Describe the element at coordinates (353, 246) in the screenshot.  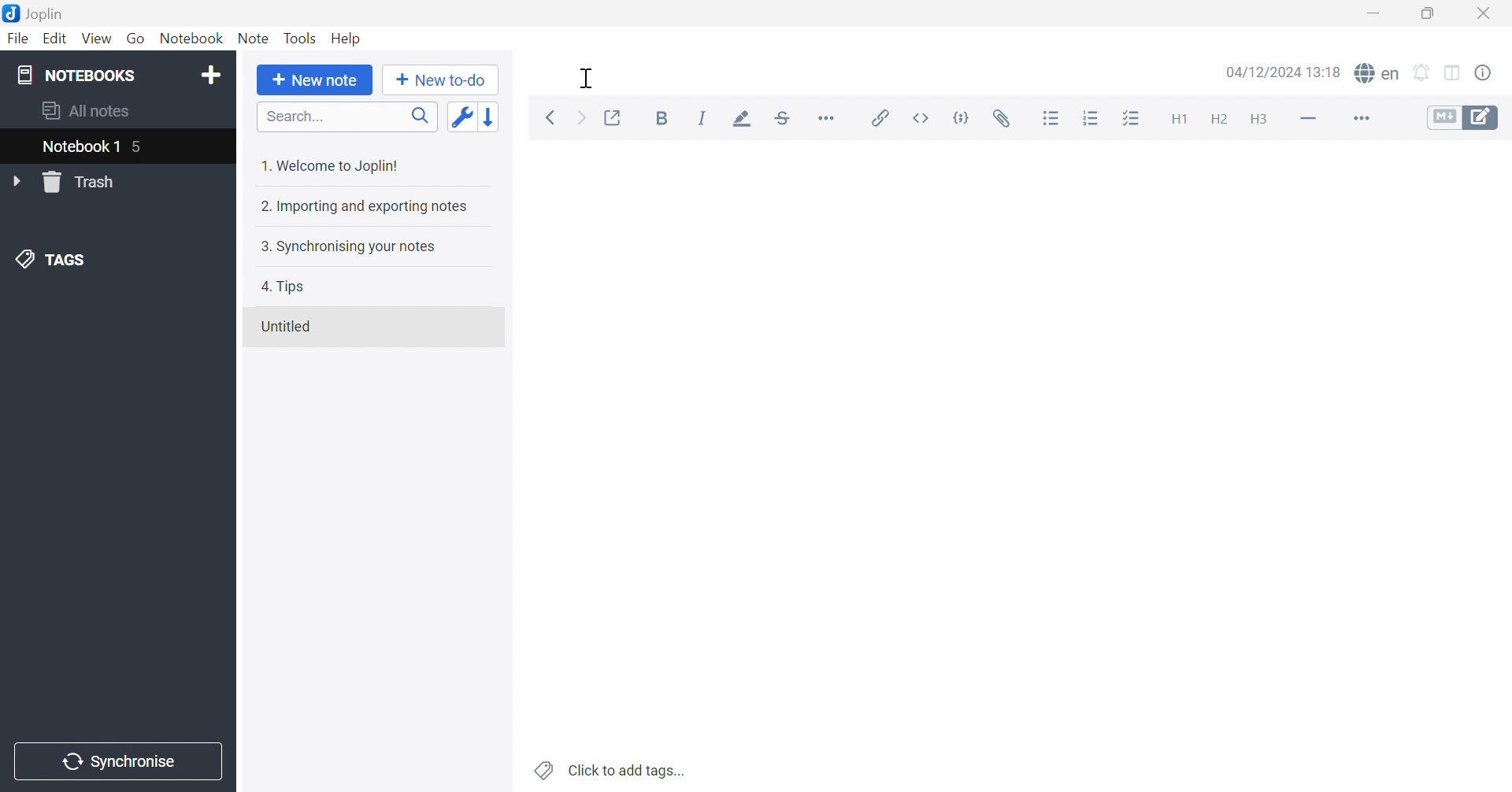
I see `3. Synchronising your notes` at that location.